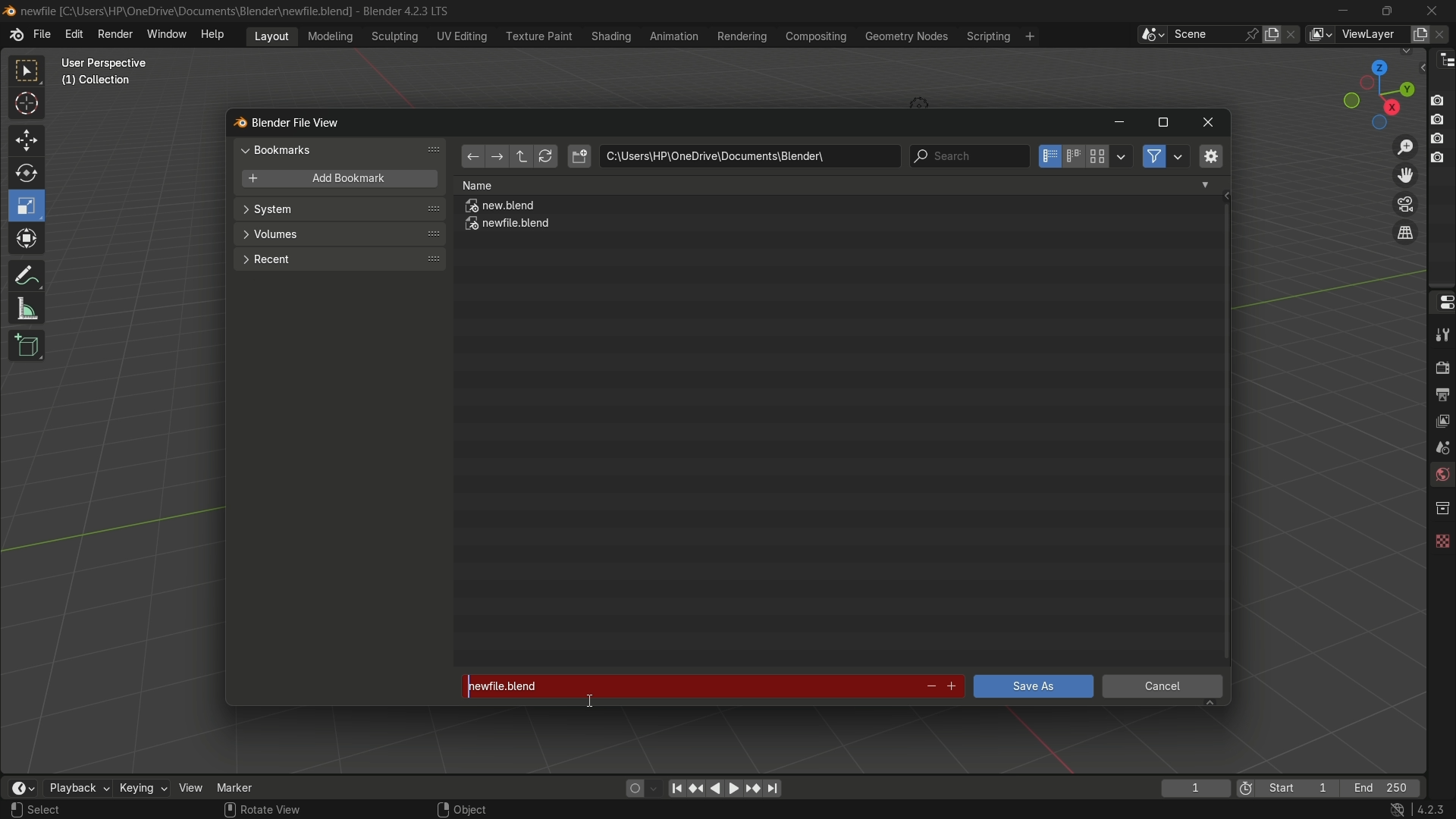  What do you see at coordinates (1122, 155) in the screenshot?
I see `display settings` at bounding box center [1122, 155].